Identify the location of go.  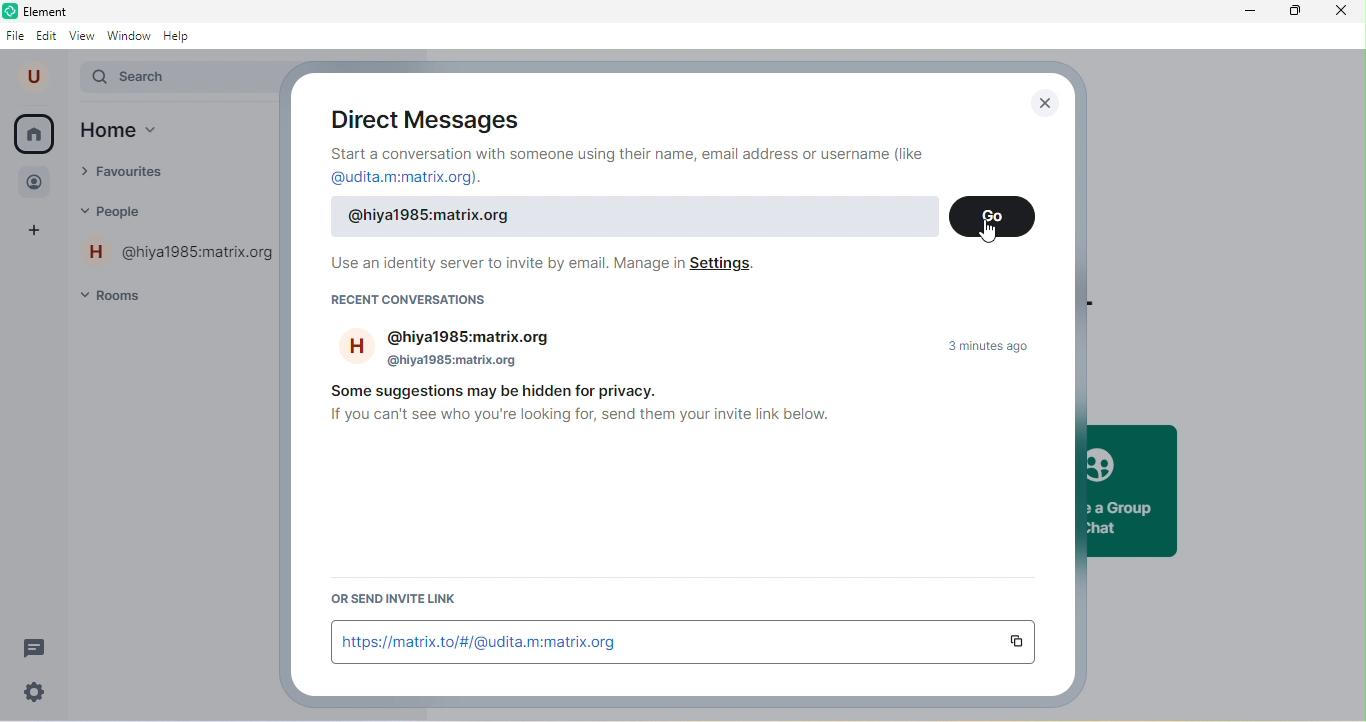
(993, 217).